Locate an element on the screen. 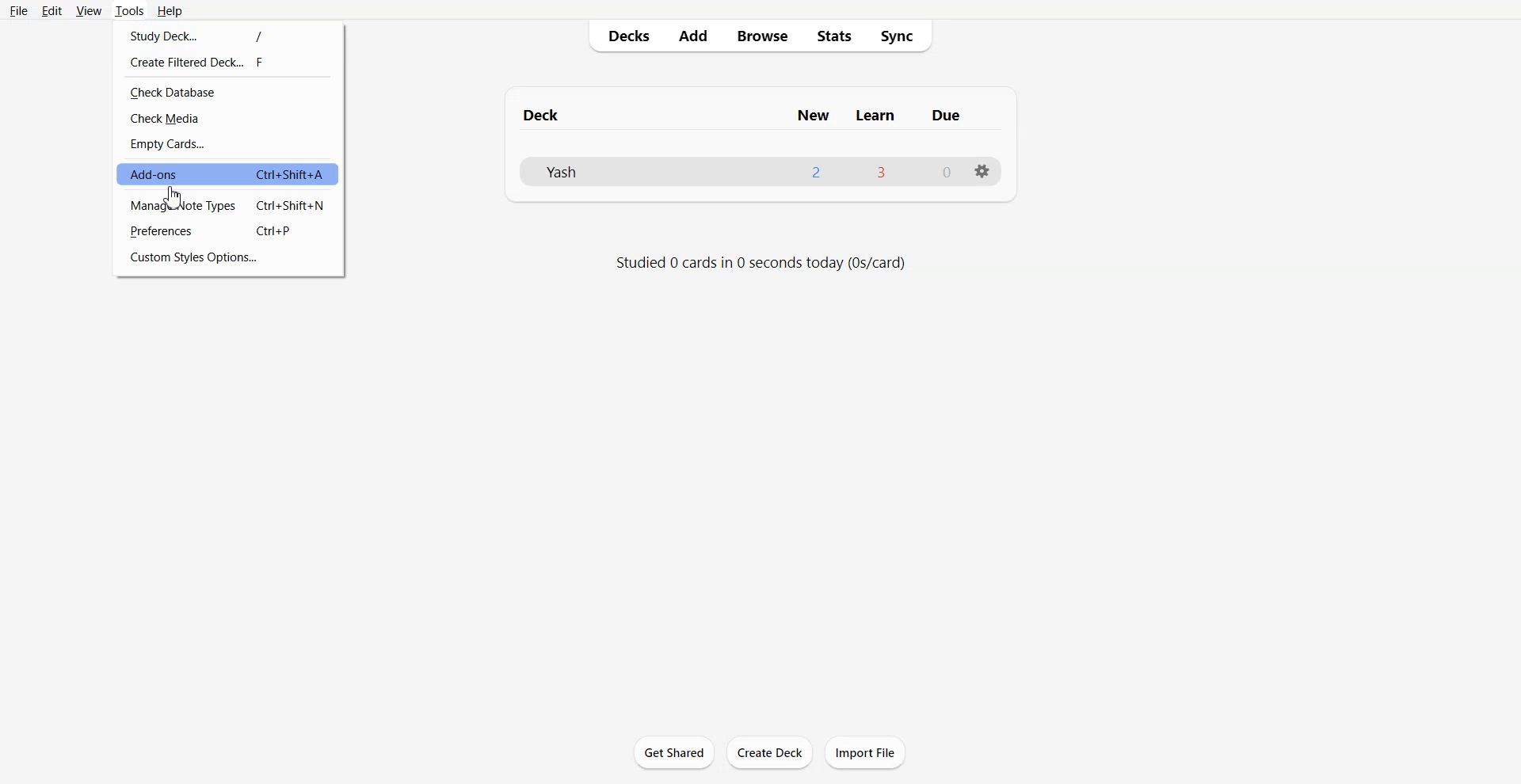 This screenshot has height=784, width=1521. 0 is located at coordinates (947, 173).